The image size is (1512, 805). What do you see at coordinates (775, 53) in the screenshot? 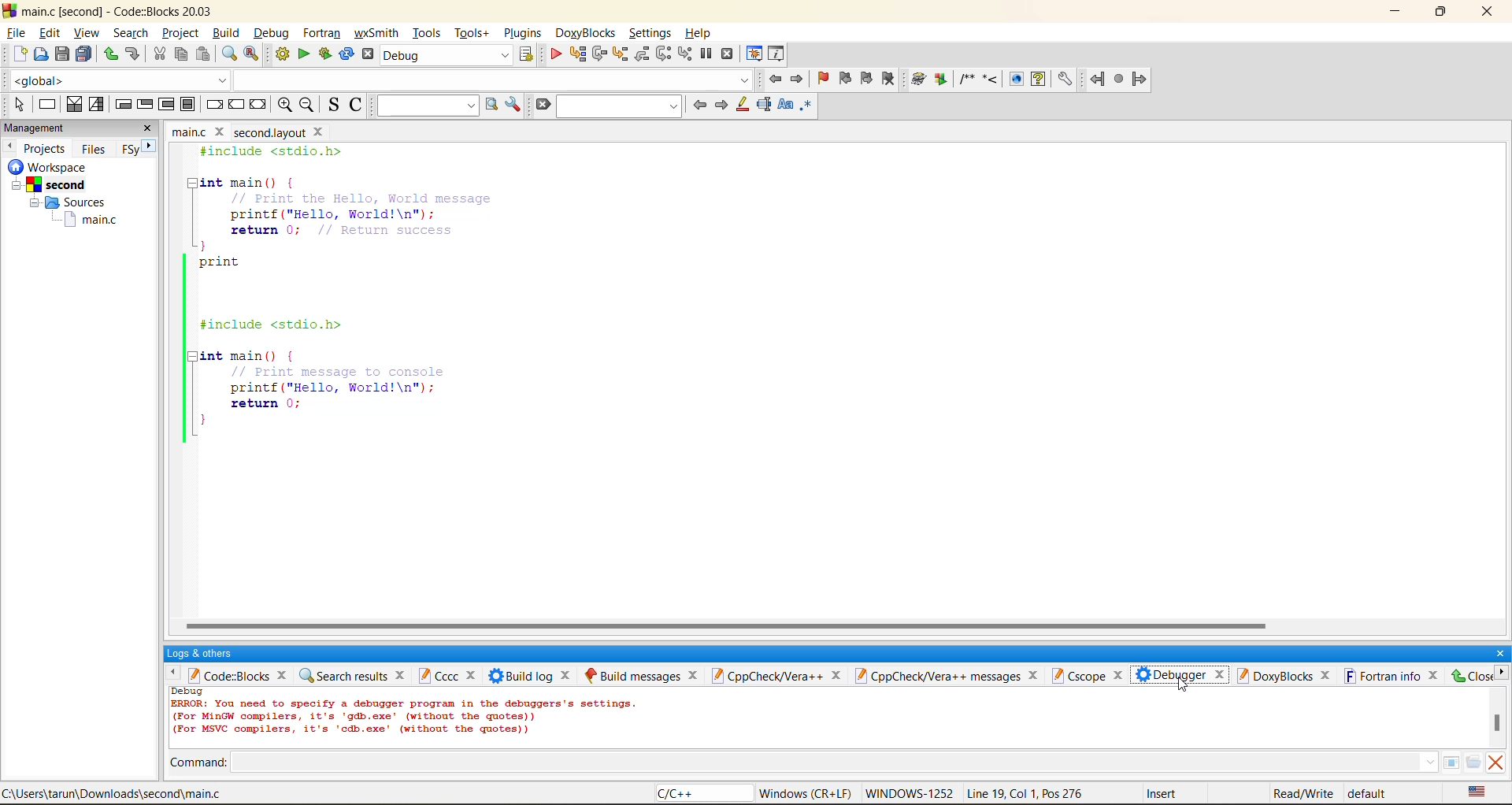
I see `various info` at bounding box center [775, 53].